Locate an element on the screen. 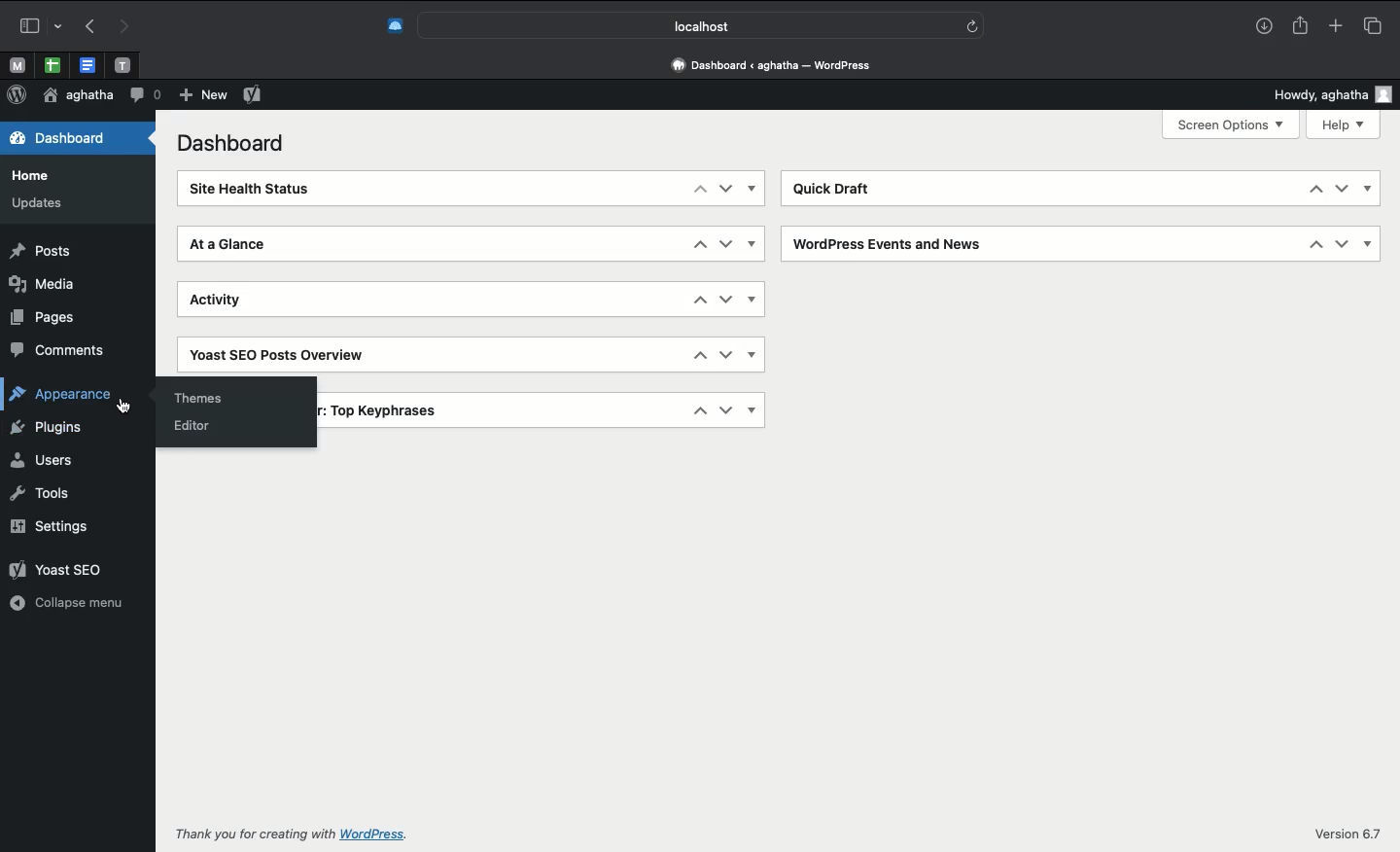  Yoast SEO is located at coordinates (60, 572).